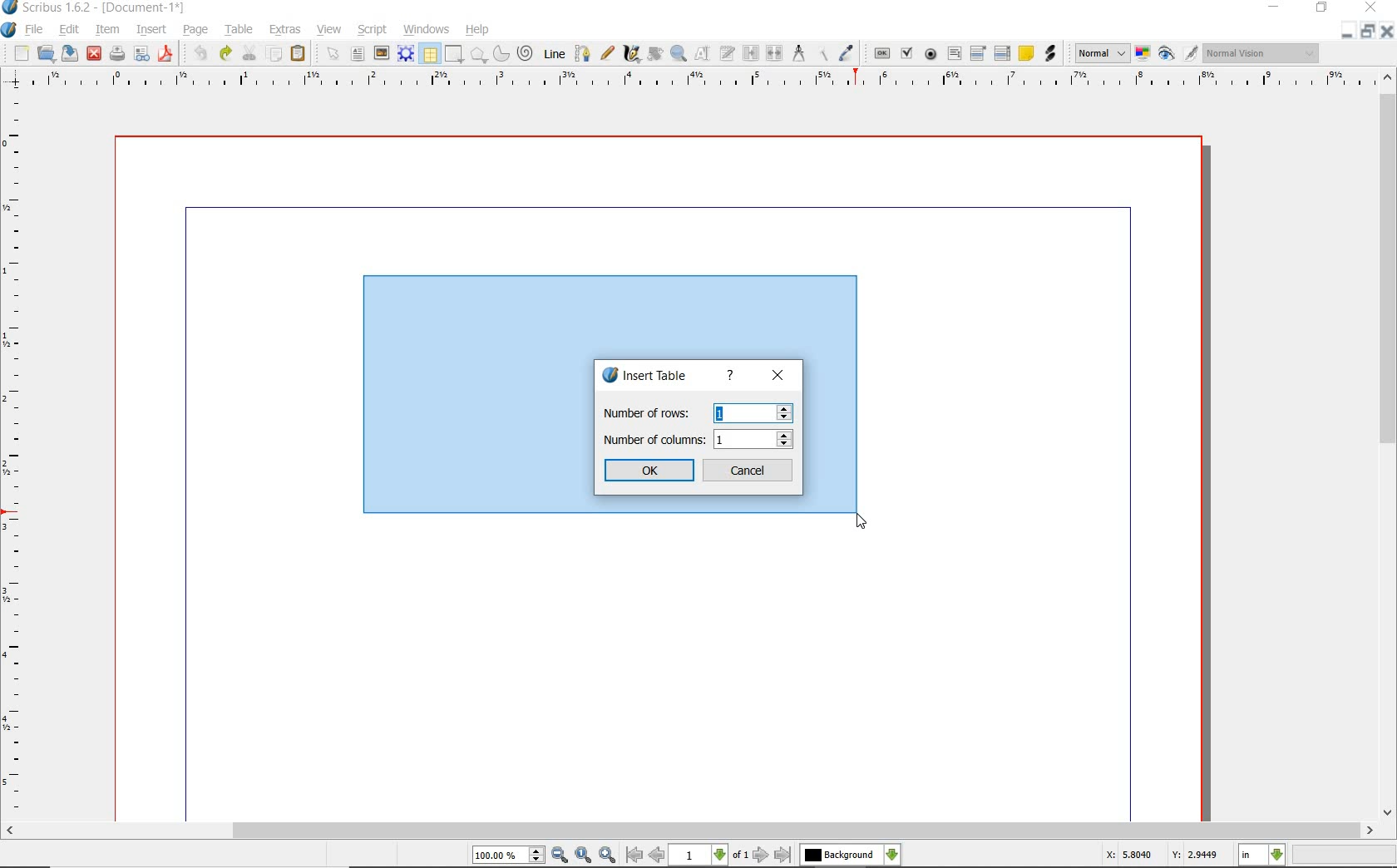  I want to click on render frame, so click(406, 52).